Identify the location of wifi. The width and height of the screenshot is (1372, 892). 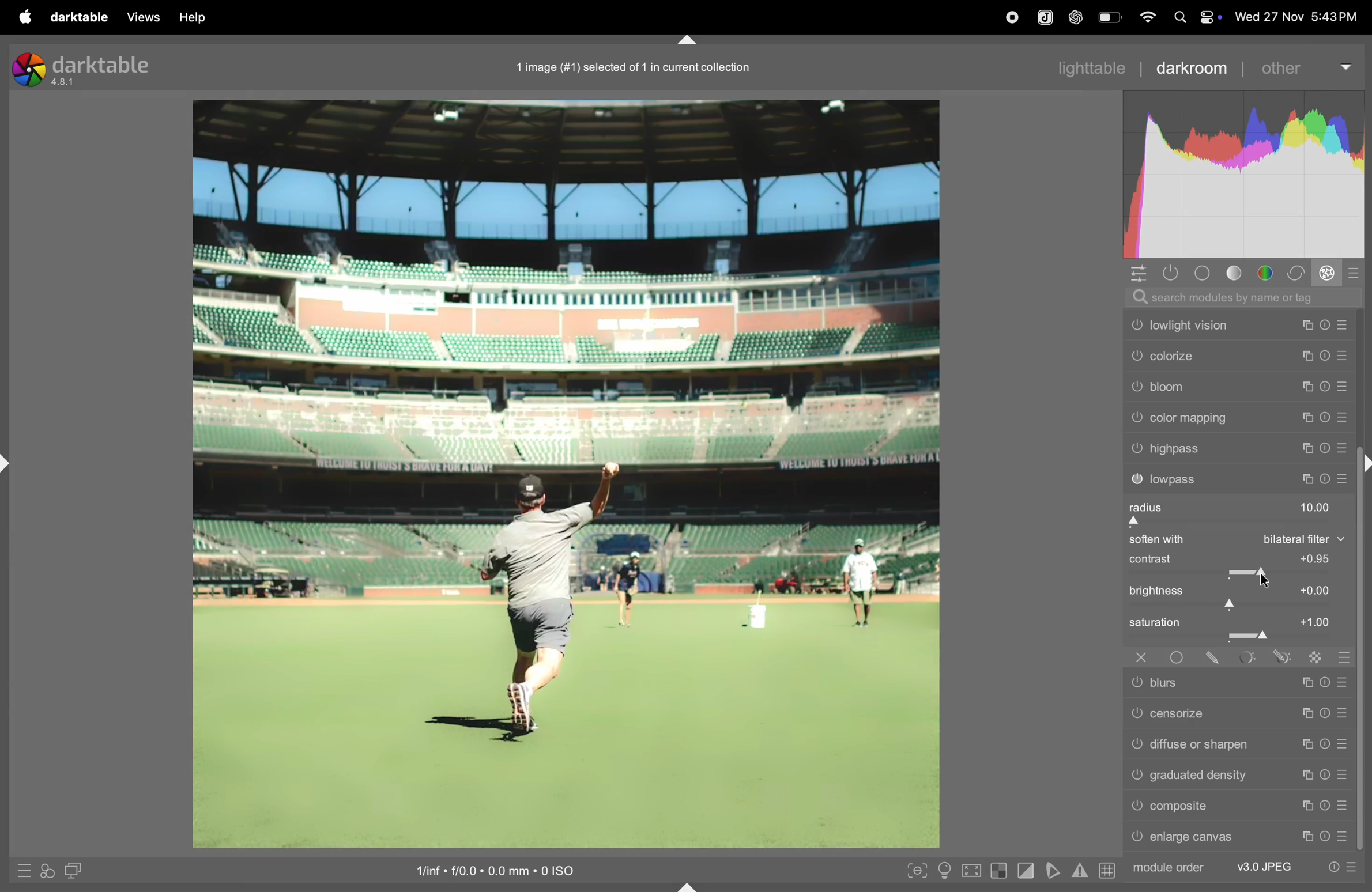
(1146, 17).